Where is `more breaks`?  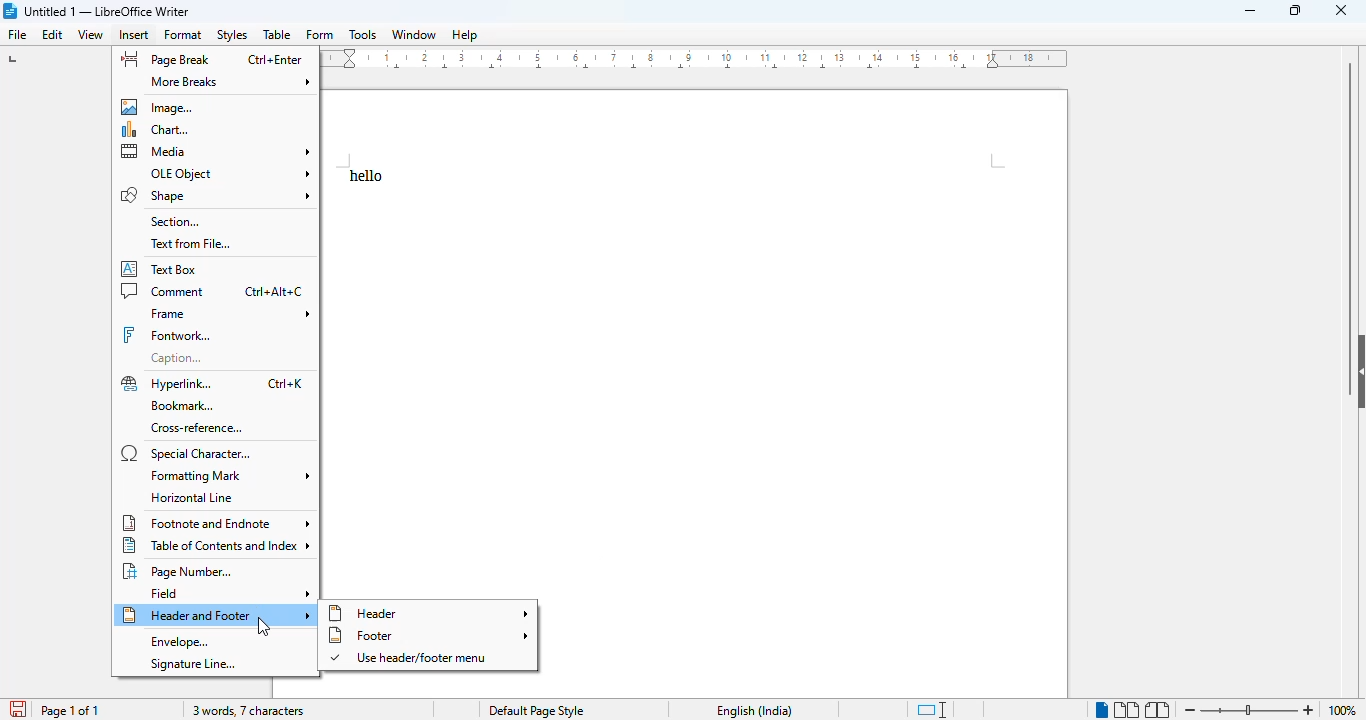
more breaks is located at coordinates (225, 82).